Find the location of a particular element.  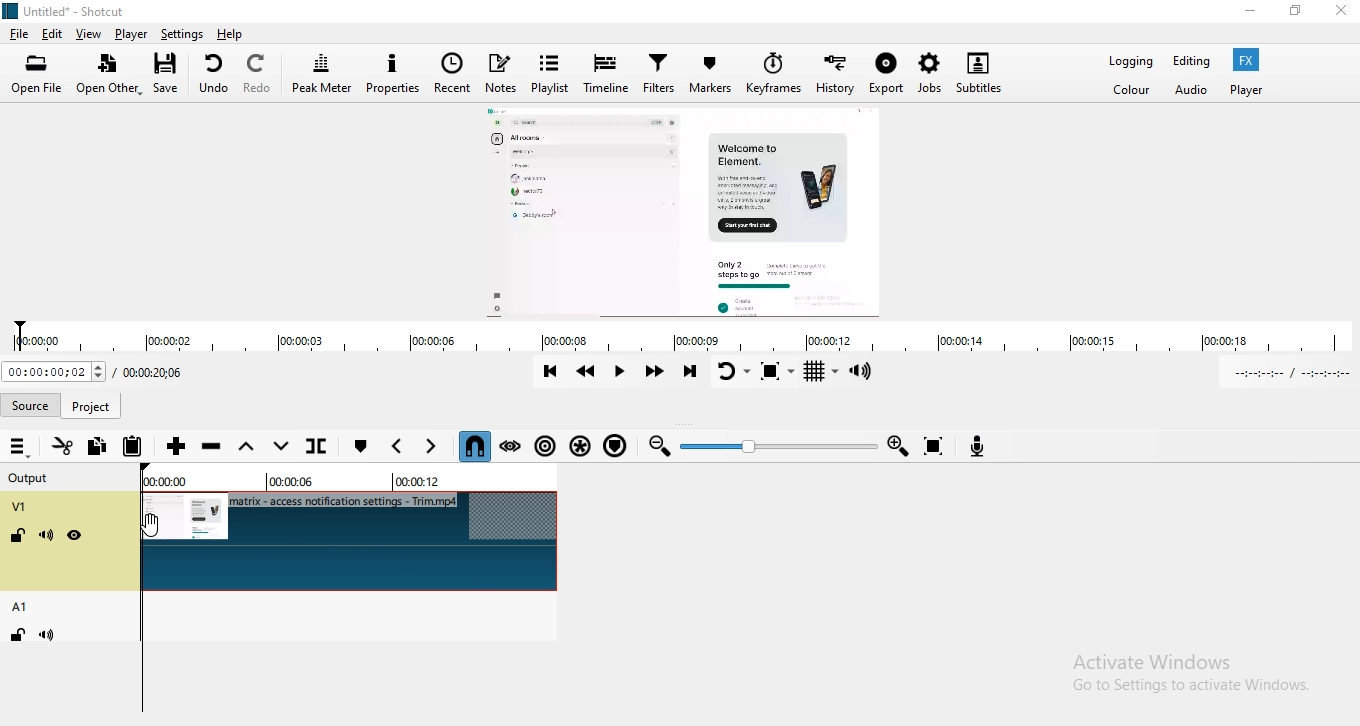

Play quickly forward is located at coordinates (656, 372).